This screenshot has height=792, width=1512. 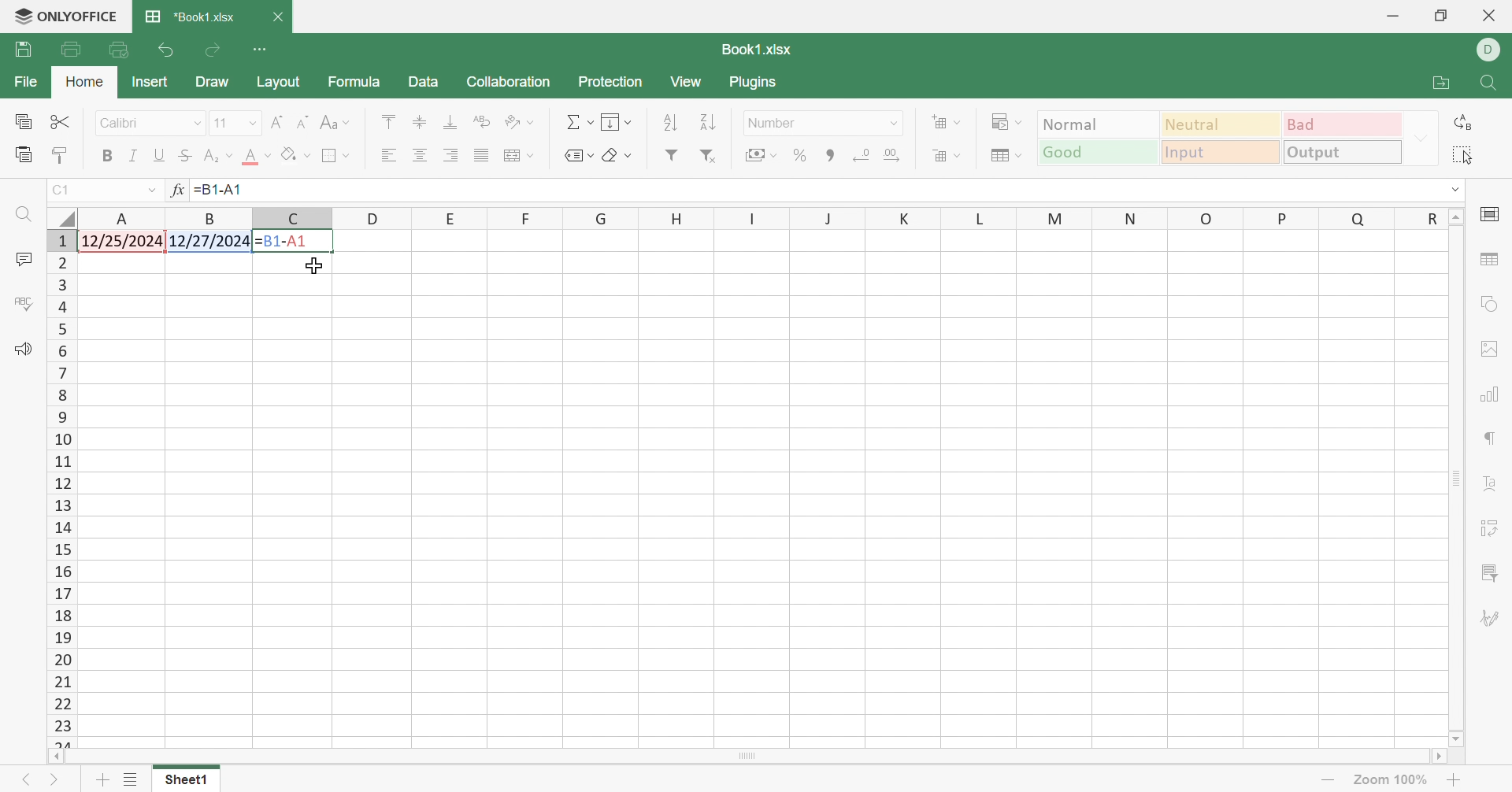 I want to click on Find, so click(x=24, y=215).